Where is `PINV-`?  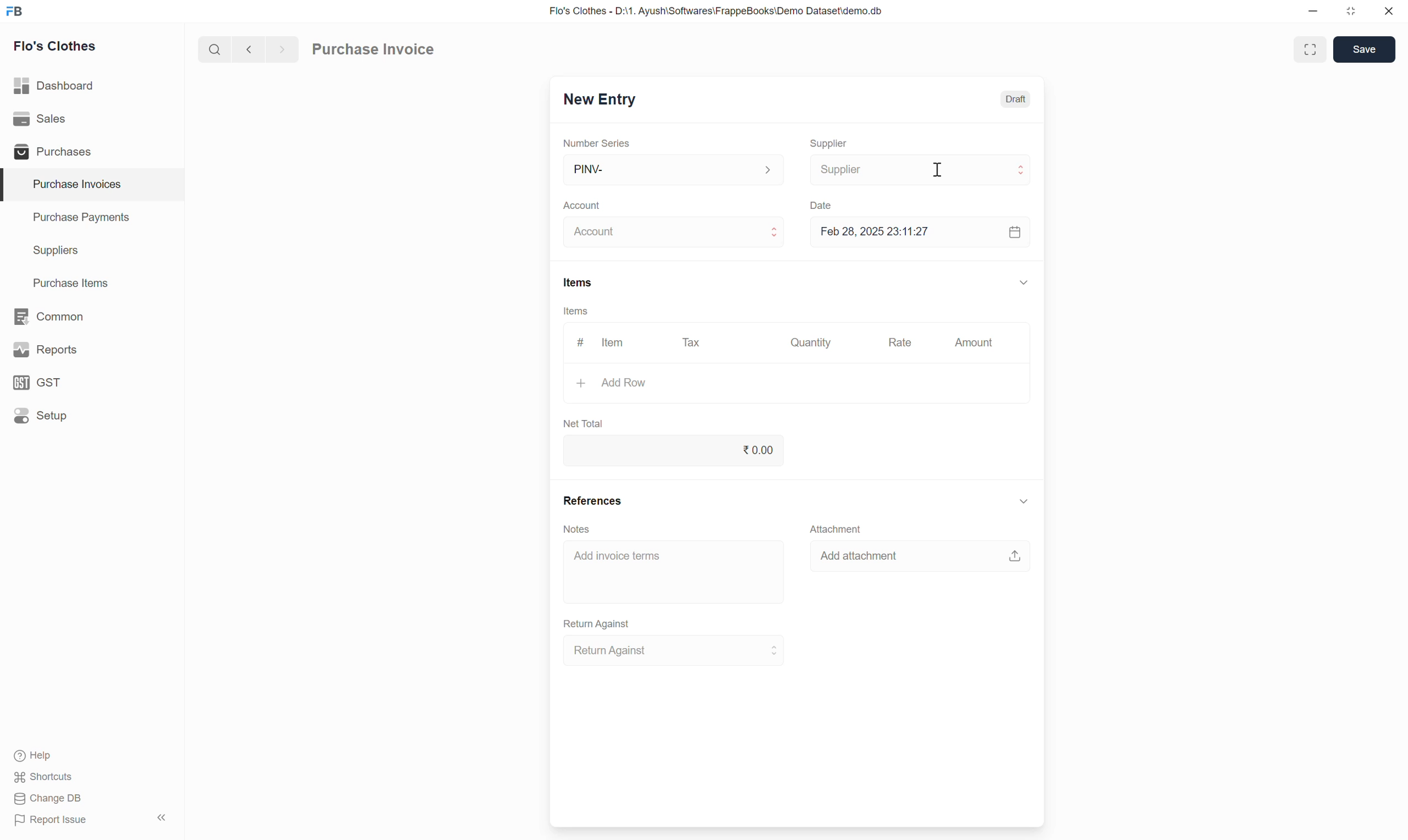 PINV- is located at coordinates (674, 169).